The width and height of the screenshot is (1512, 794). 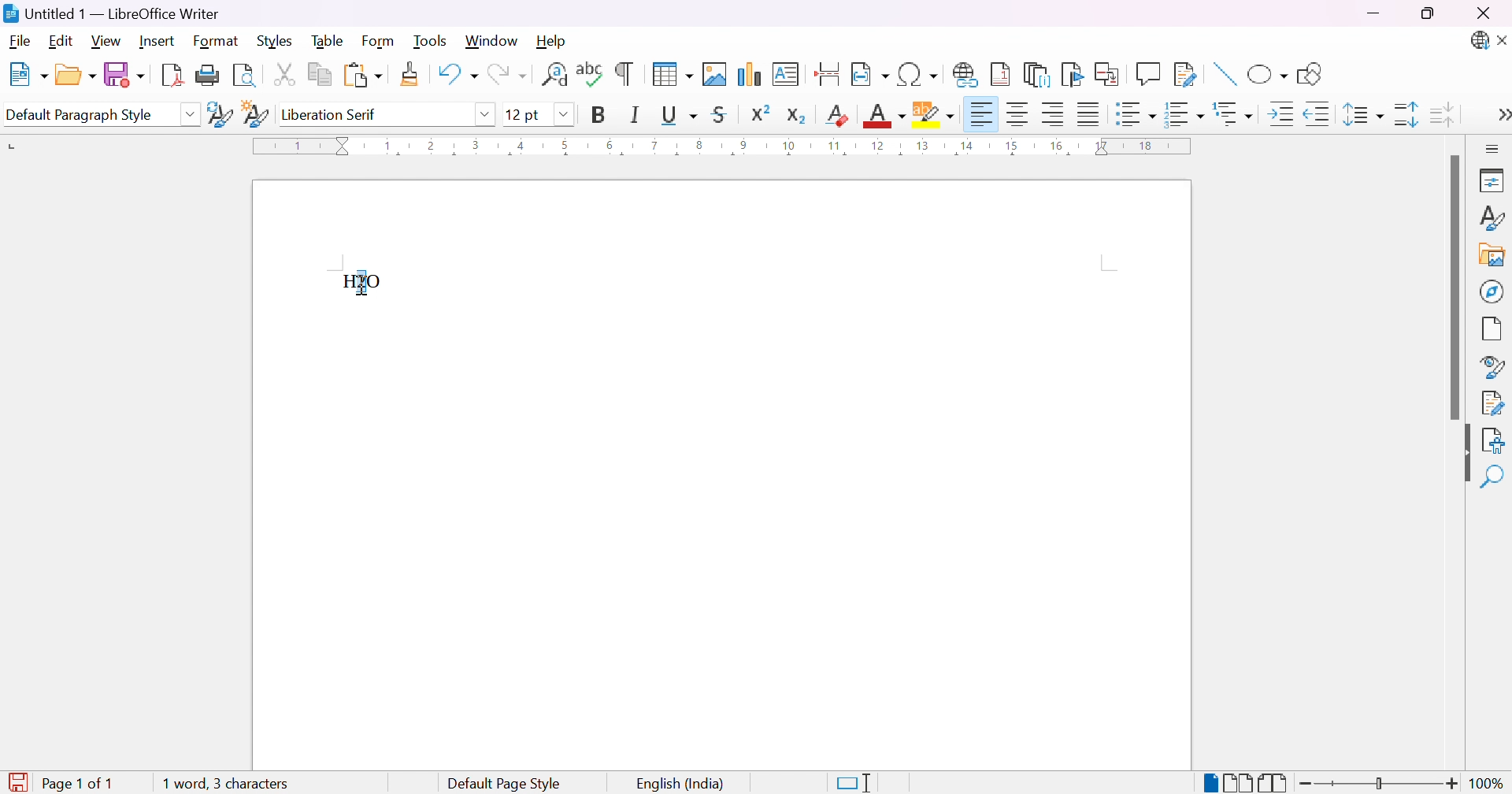 What do you see at coordinates (1503, 42) in the screenshot?
I see `Close` at bounding box center [1503, 42].